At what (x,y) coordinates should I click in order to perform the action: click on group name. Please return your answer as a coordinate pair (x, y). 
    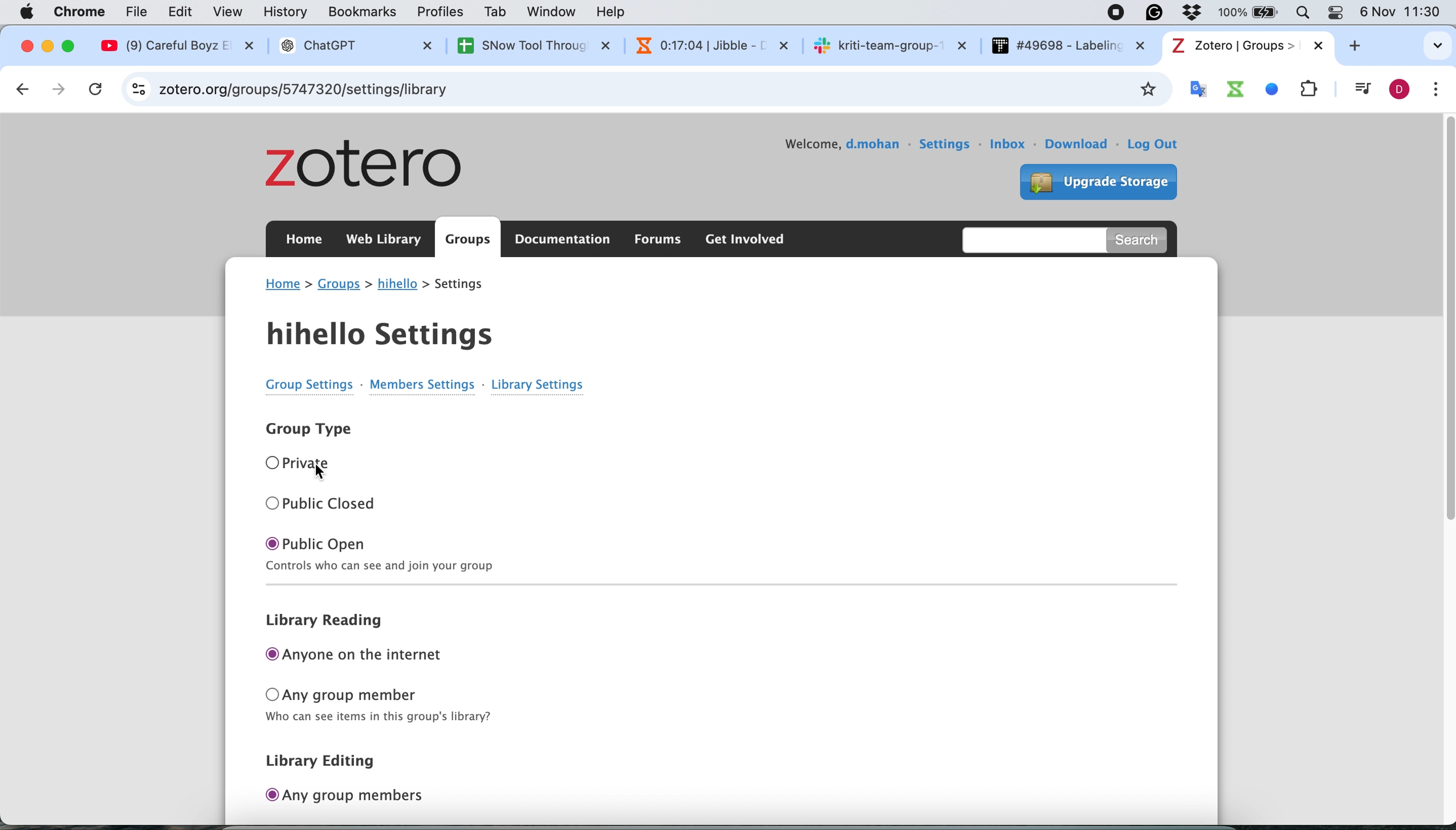
    Looking at the image, I should click on (397, 285).